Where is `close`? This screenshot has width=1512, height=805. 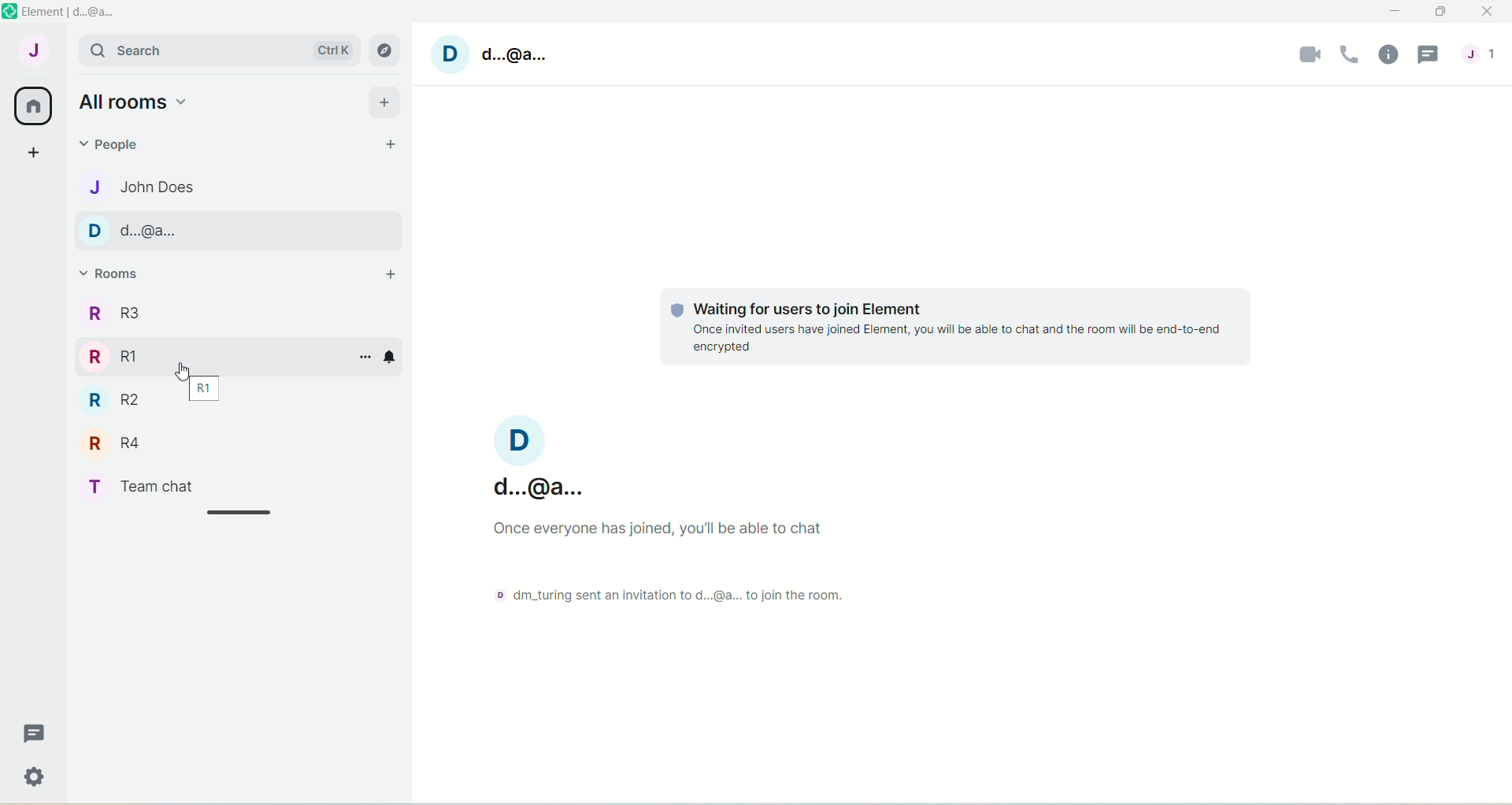
close is located at coordinates (1488, 13).